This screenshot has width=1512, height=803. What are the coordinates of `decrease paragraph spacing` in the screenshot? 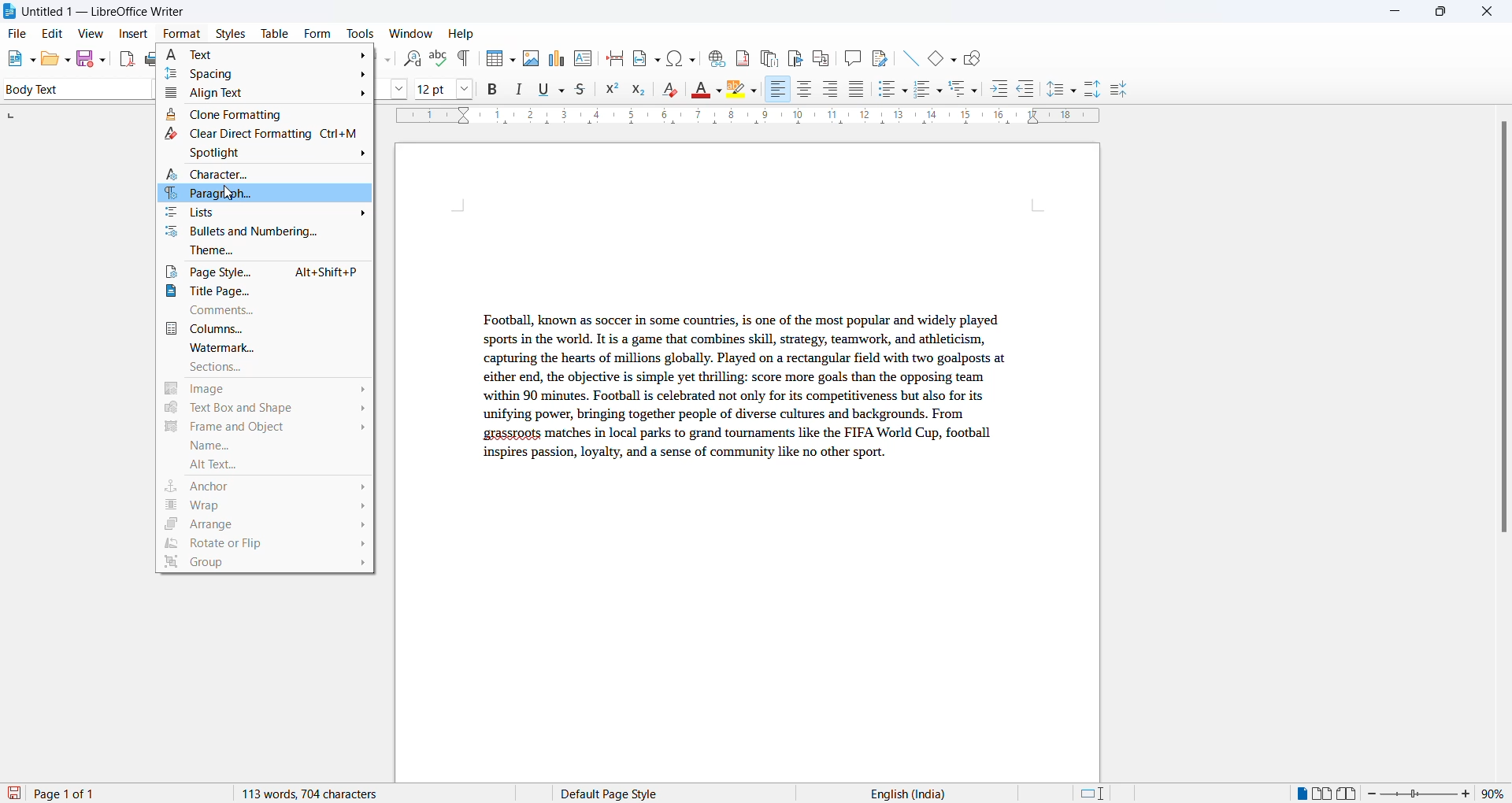 It's located at (1117, 91).